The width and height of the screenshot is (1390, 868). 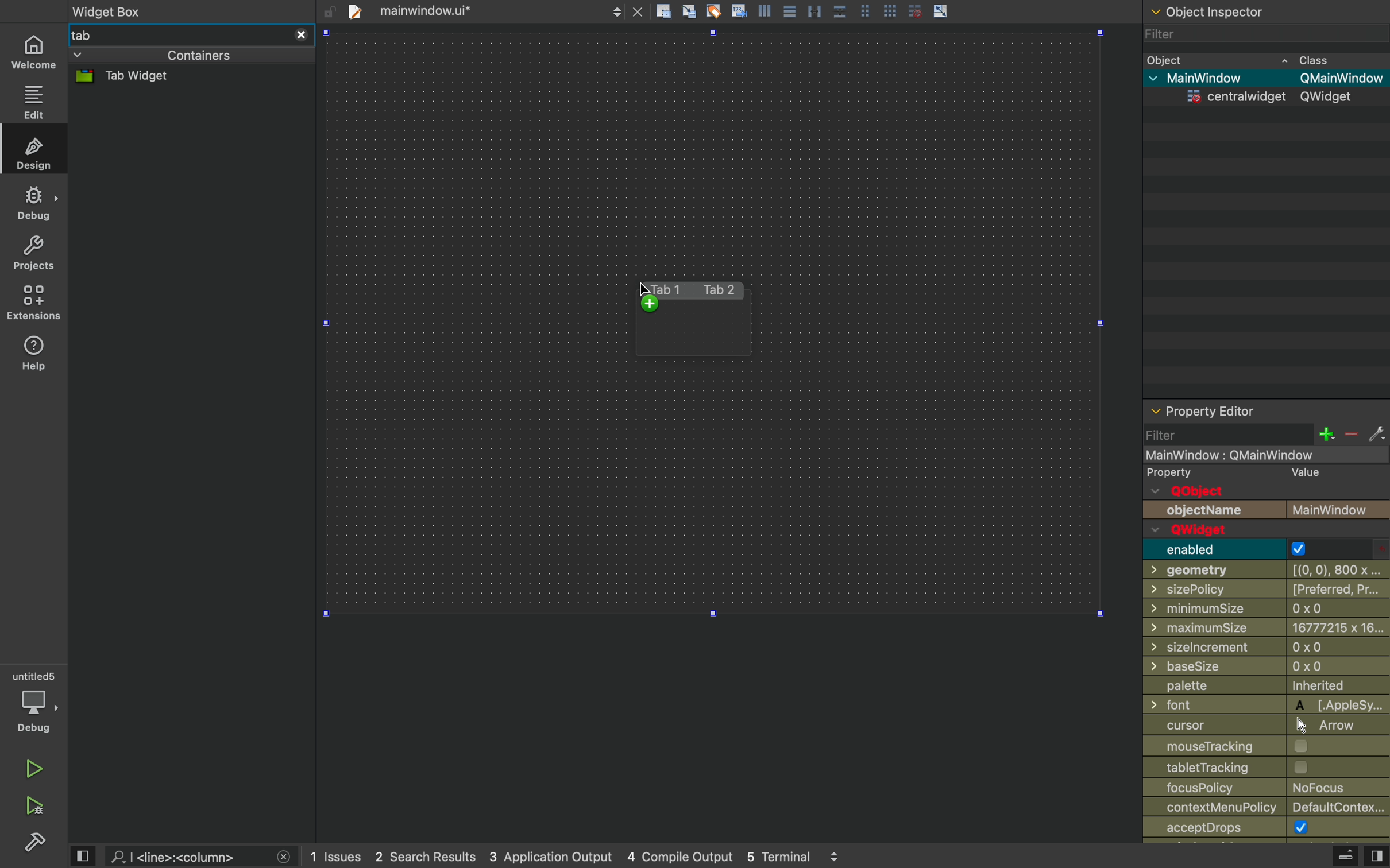 What do you see at coordinates (889, 10) in the screenshot?
I see `grid view large` at bounding box center [889, 10].